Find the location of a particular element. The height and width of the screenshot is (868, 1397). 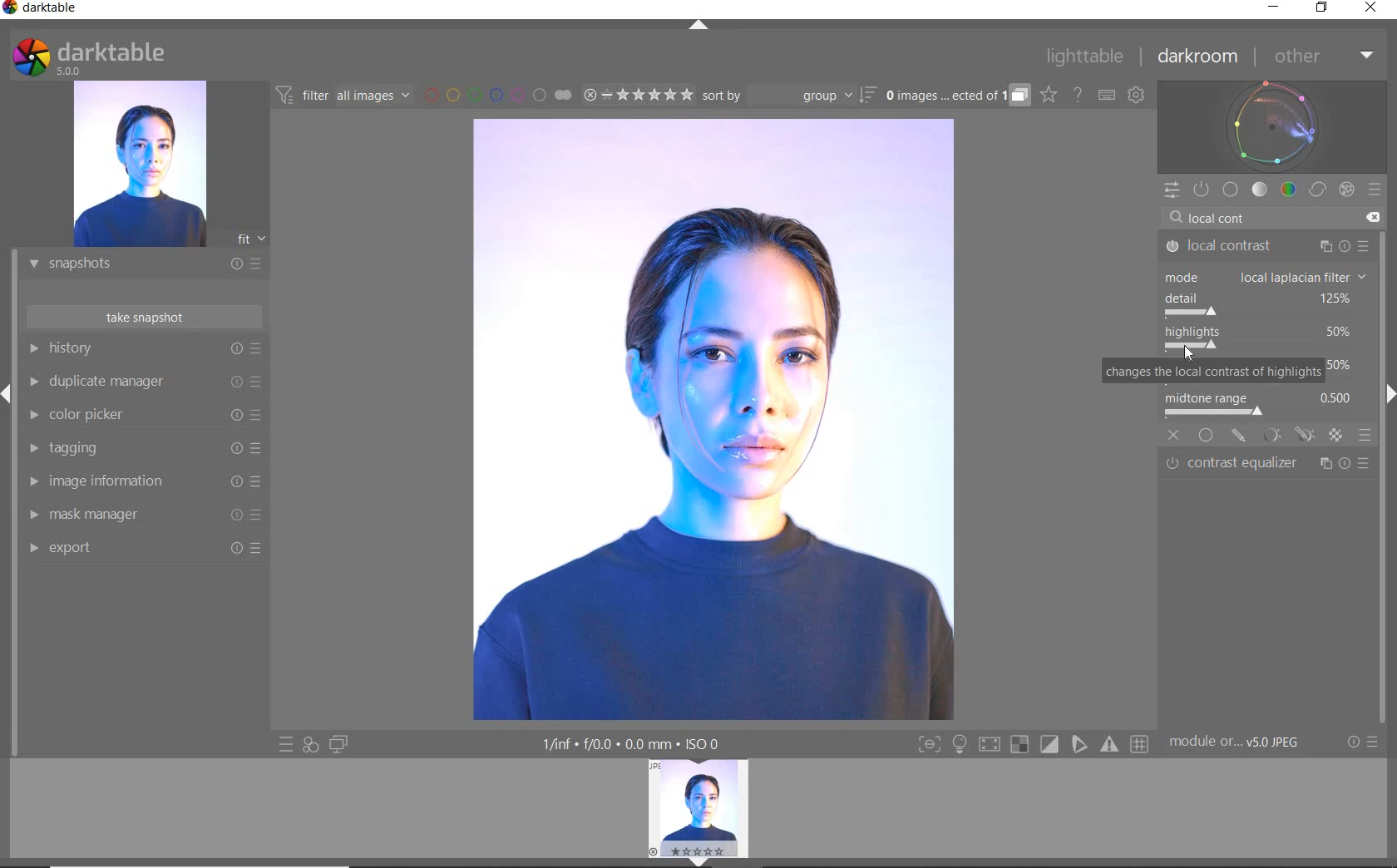

SHOW GLOBAL PREFERENCES is located at coordinates (1136, 96).